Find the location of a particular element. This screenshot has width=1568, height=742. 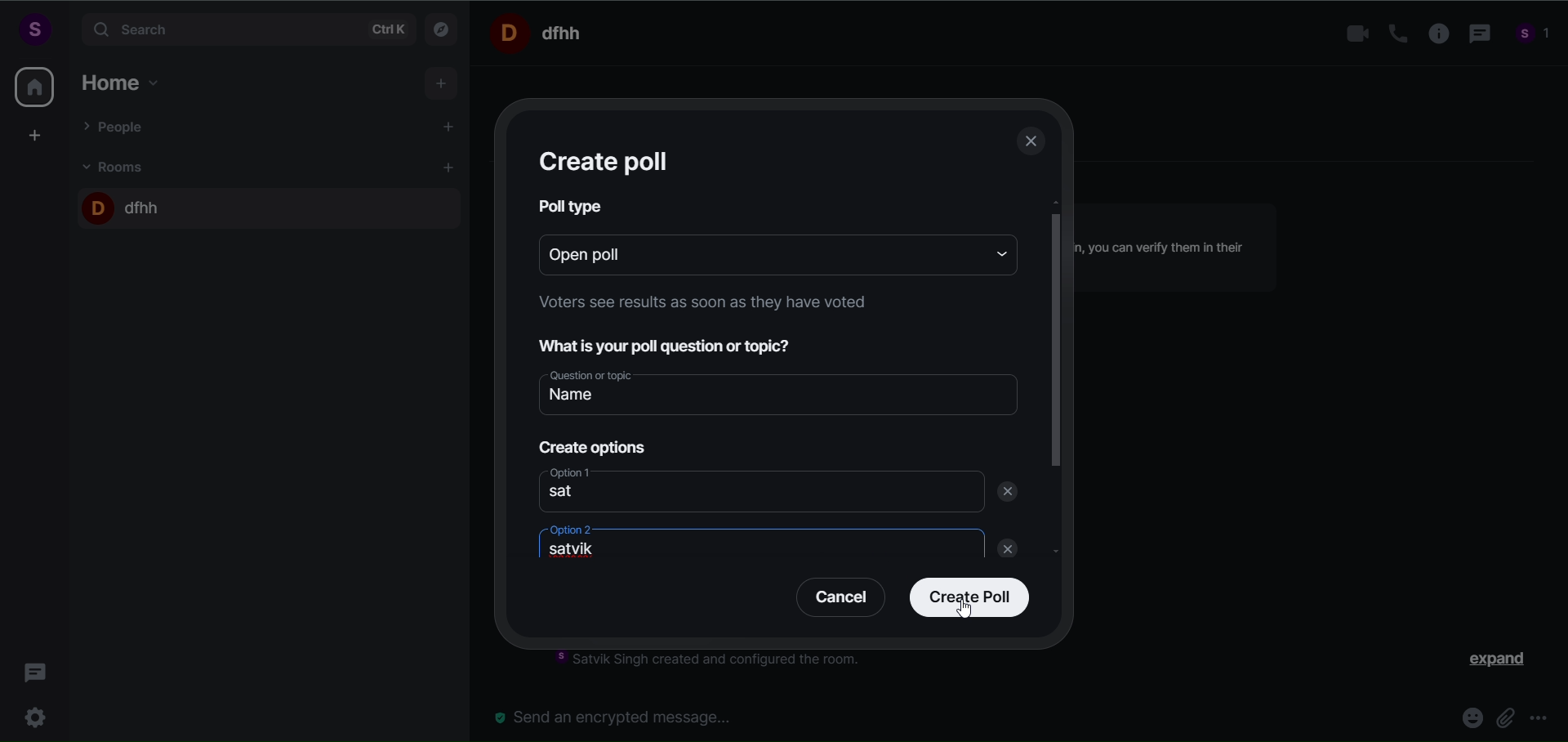

people is located at coordinates (1534, 36).